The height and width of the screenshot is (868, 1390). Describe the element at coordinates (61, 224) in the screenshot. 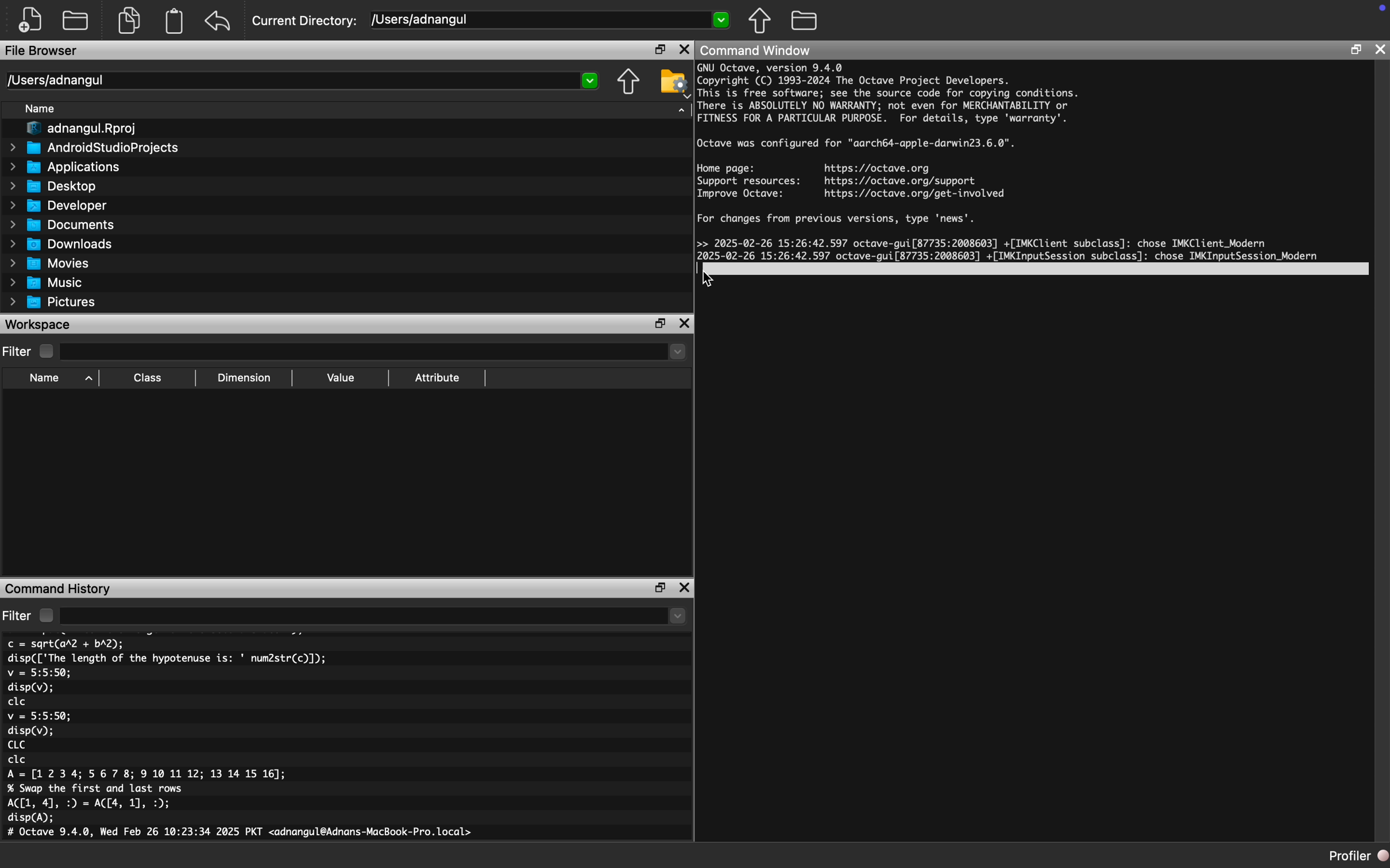

I see `Documents` at that location.